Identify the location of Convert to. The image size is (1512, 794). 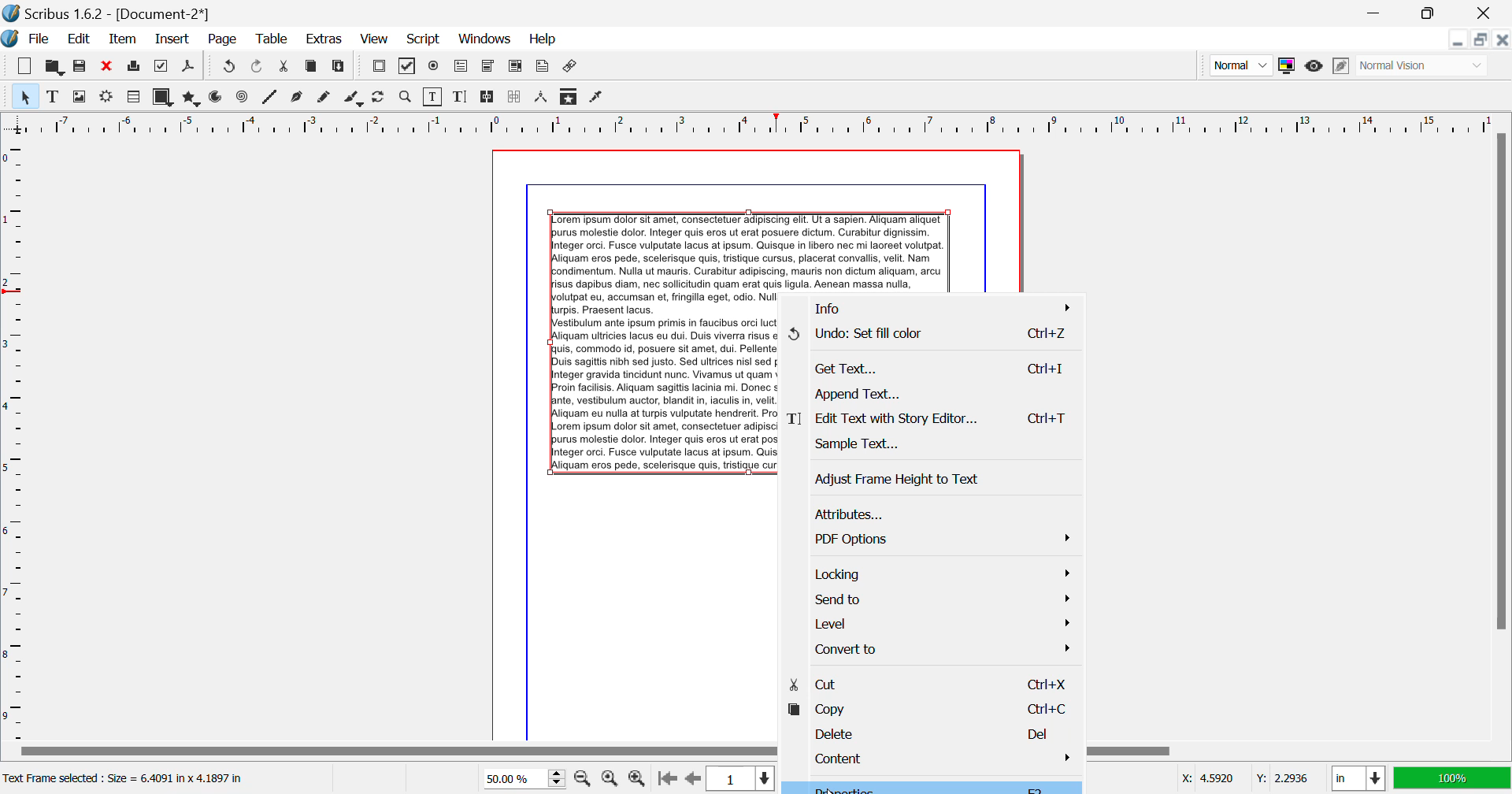
(930, 651).